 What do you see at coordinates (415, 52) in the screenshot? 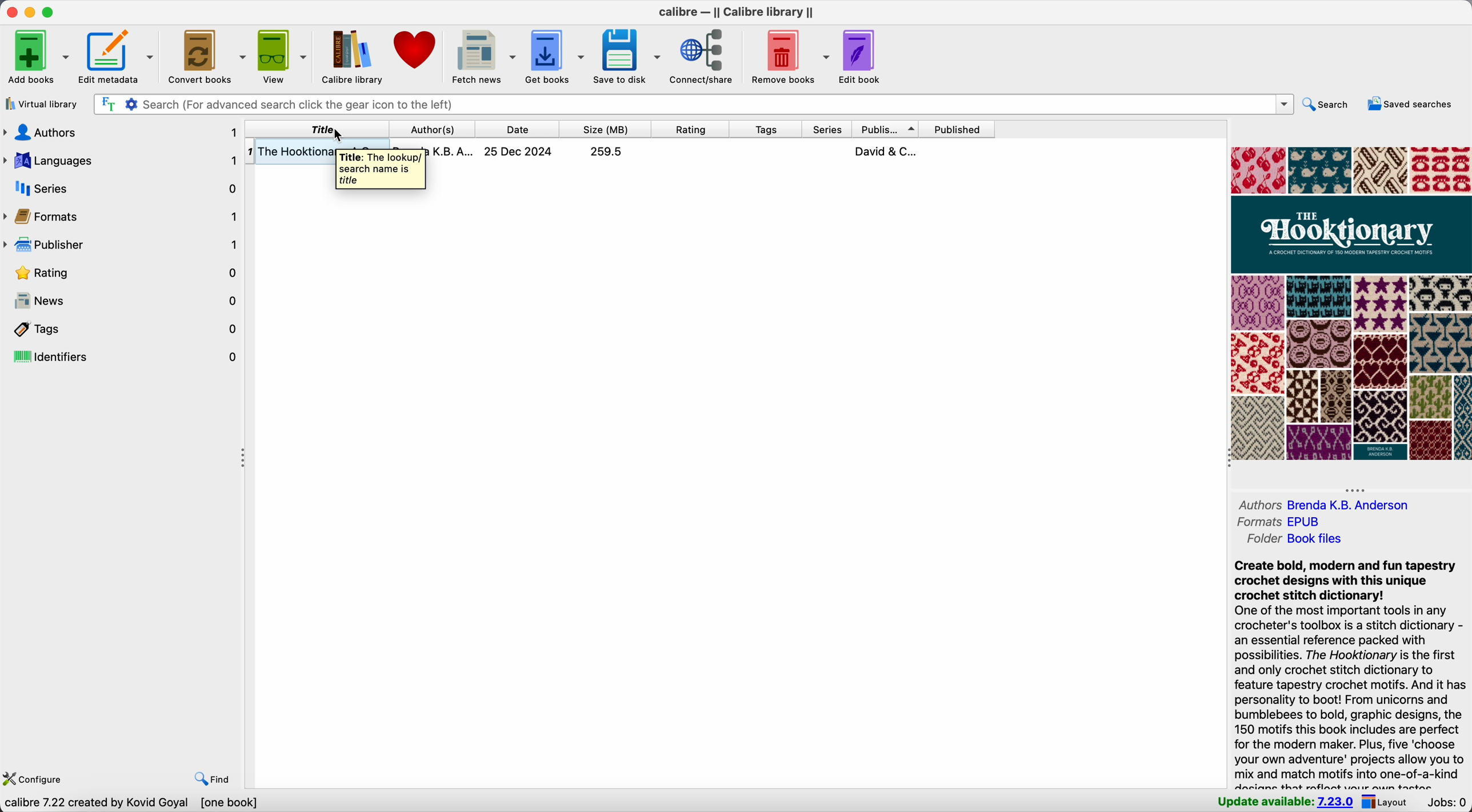
I see `donate` at bounding box center [415, 52].